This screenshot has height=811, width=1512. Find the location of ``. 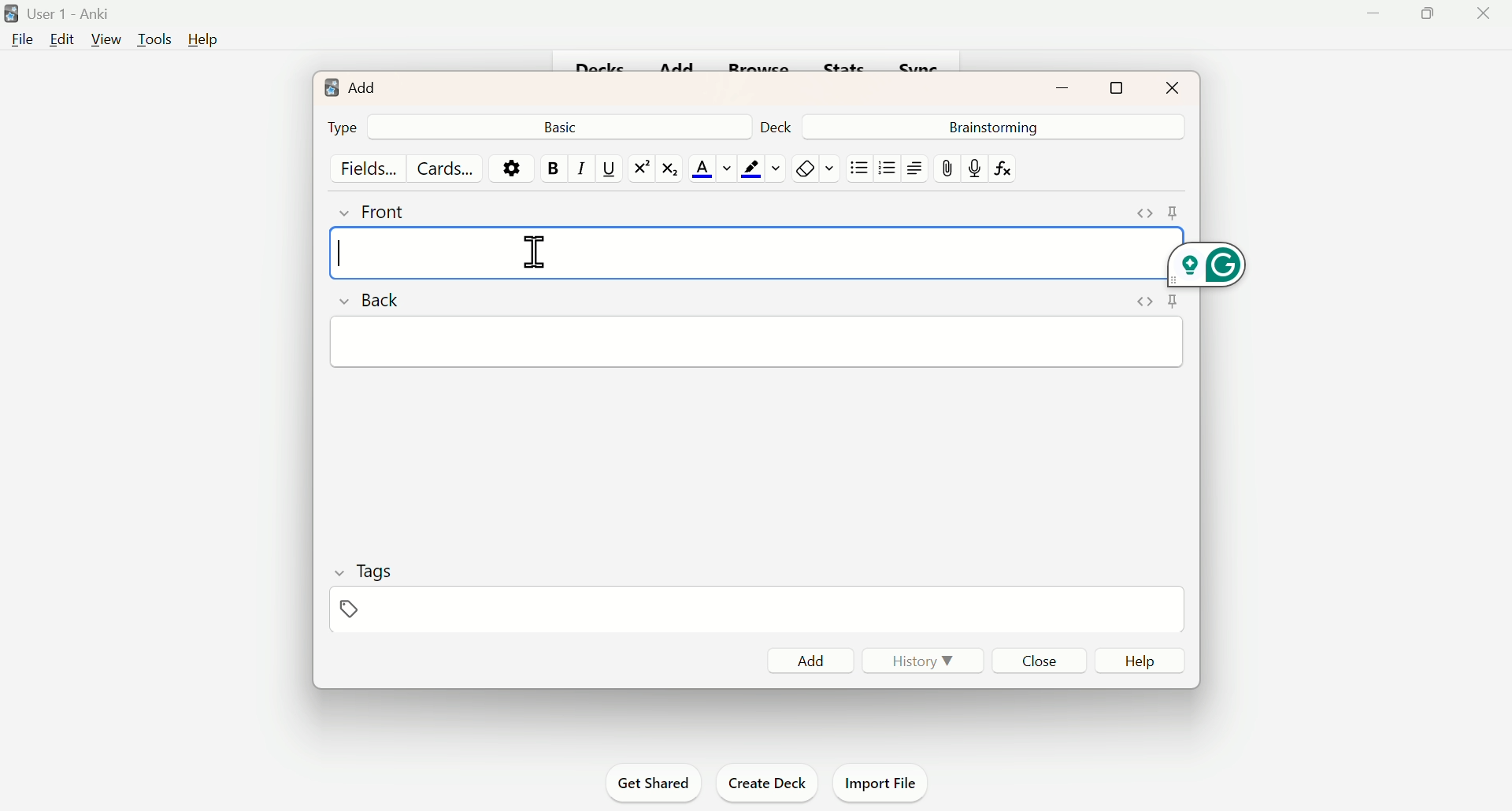

 is located at coordinates (832, 168).